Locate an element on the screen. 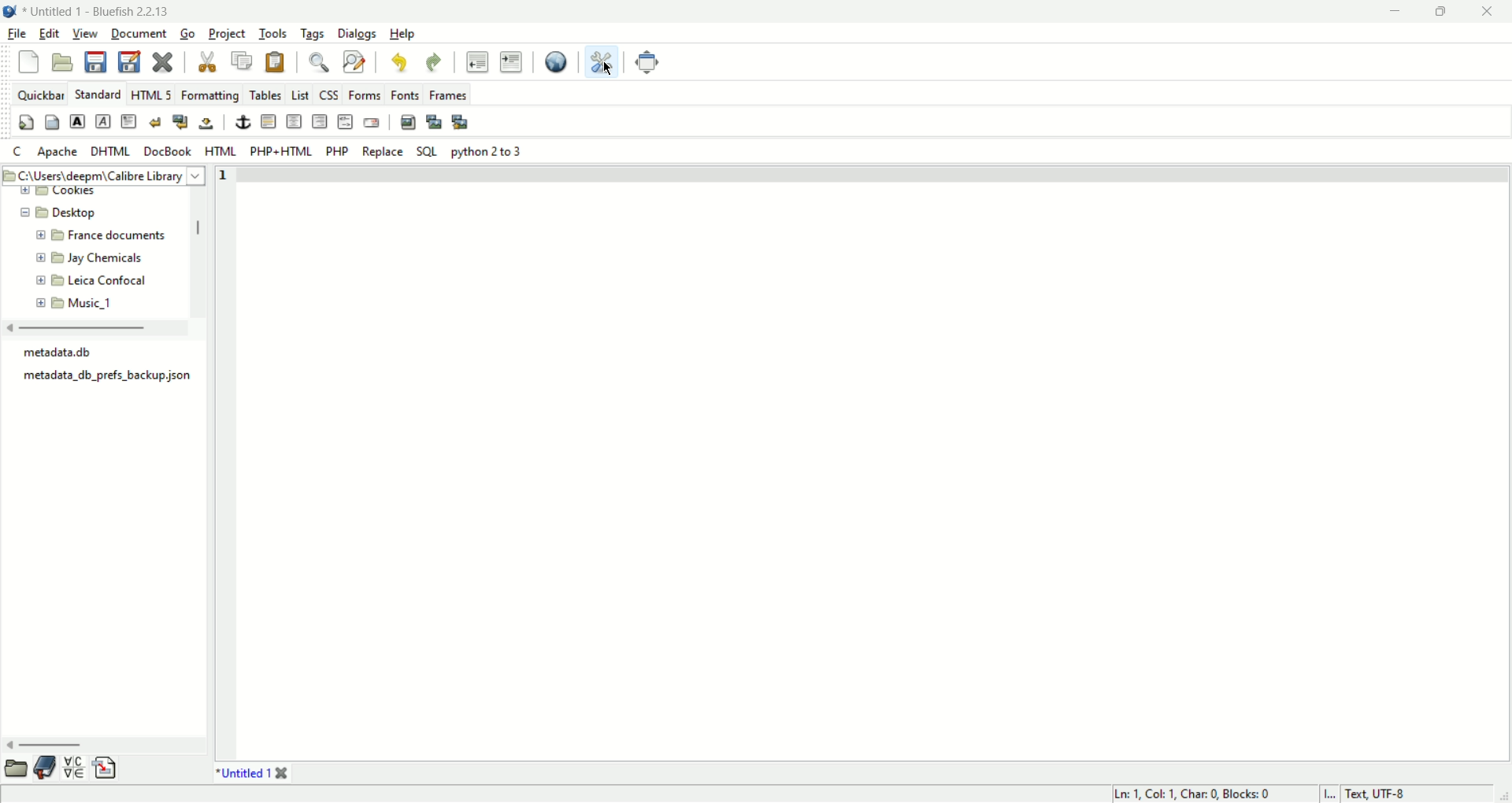  metadata.db is located at coordinates (69, 353).